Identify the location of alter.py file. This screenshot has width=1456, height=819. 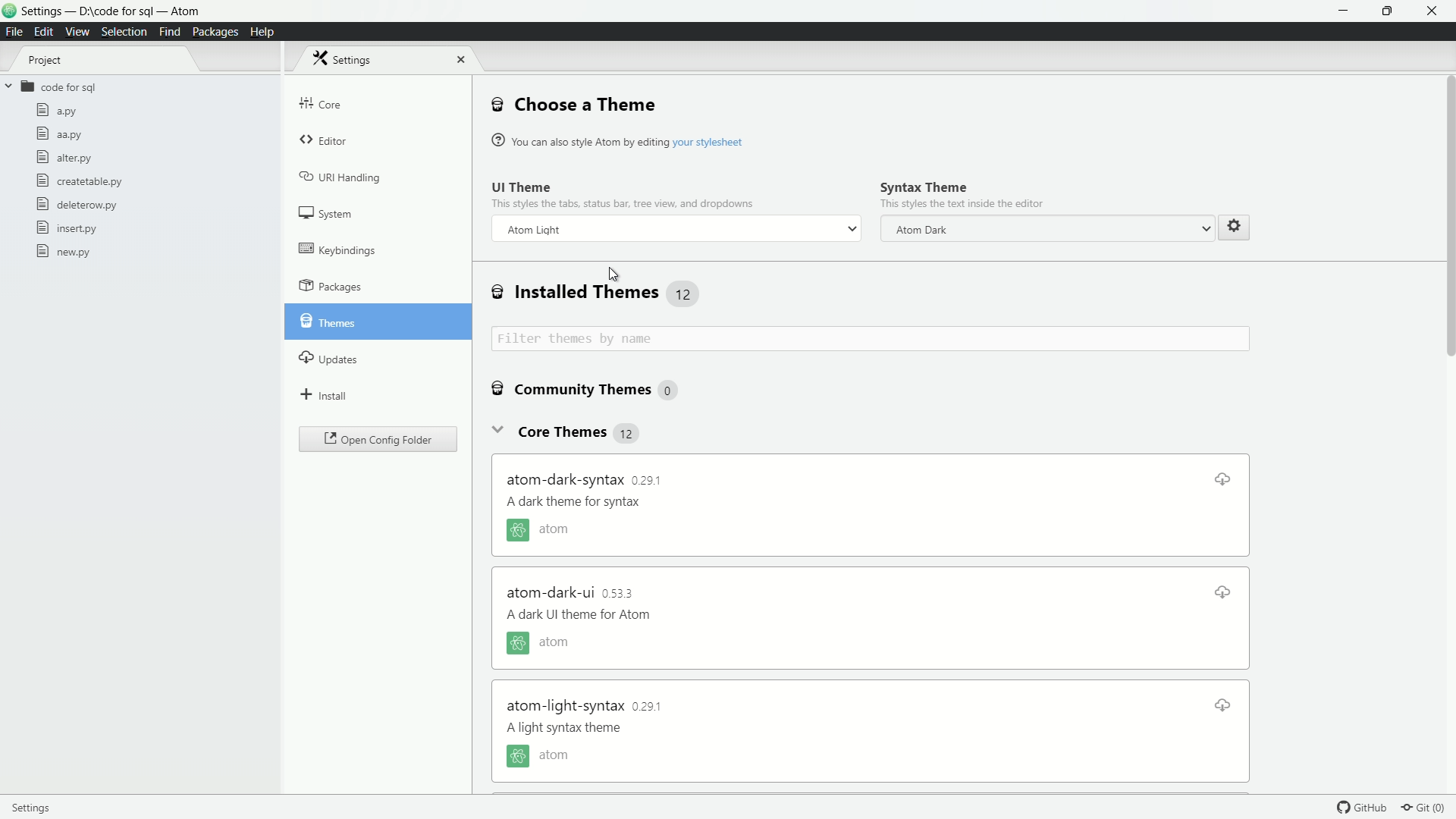
(62, 158).